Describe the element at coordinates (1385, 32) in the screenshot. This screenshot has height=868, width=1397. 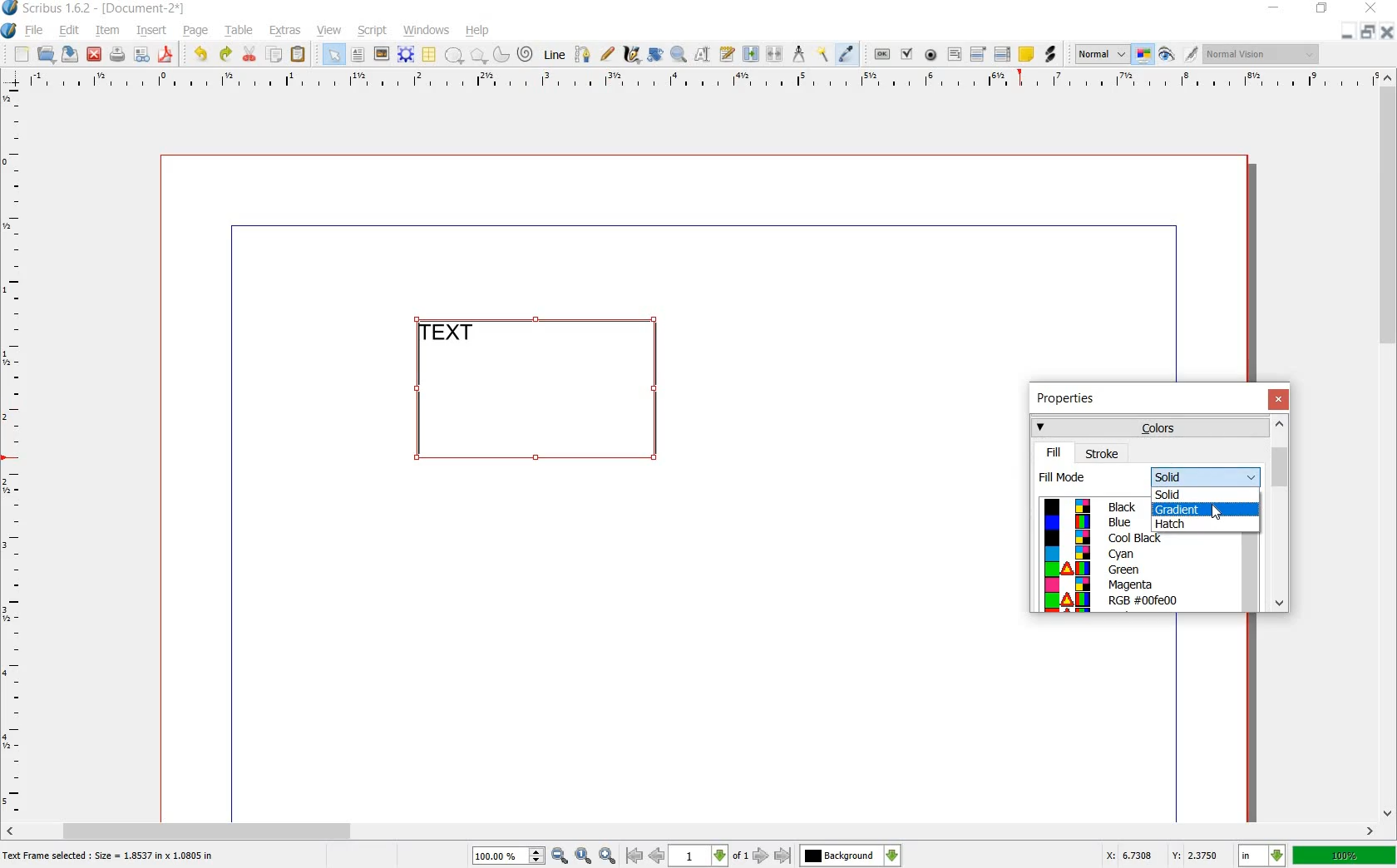
I see `close` at that location.